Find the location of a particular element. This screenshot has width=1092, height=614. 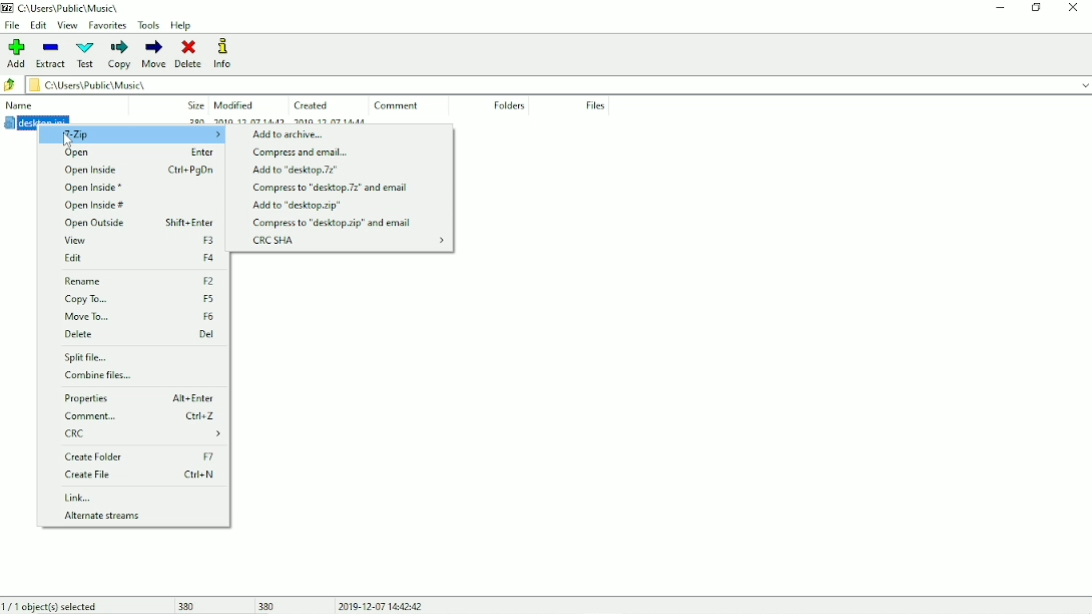

Open Inside # is located at coordinates (96, 206).